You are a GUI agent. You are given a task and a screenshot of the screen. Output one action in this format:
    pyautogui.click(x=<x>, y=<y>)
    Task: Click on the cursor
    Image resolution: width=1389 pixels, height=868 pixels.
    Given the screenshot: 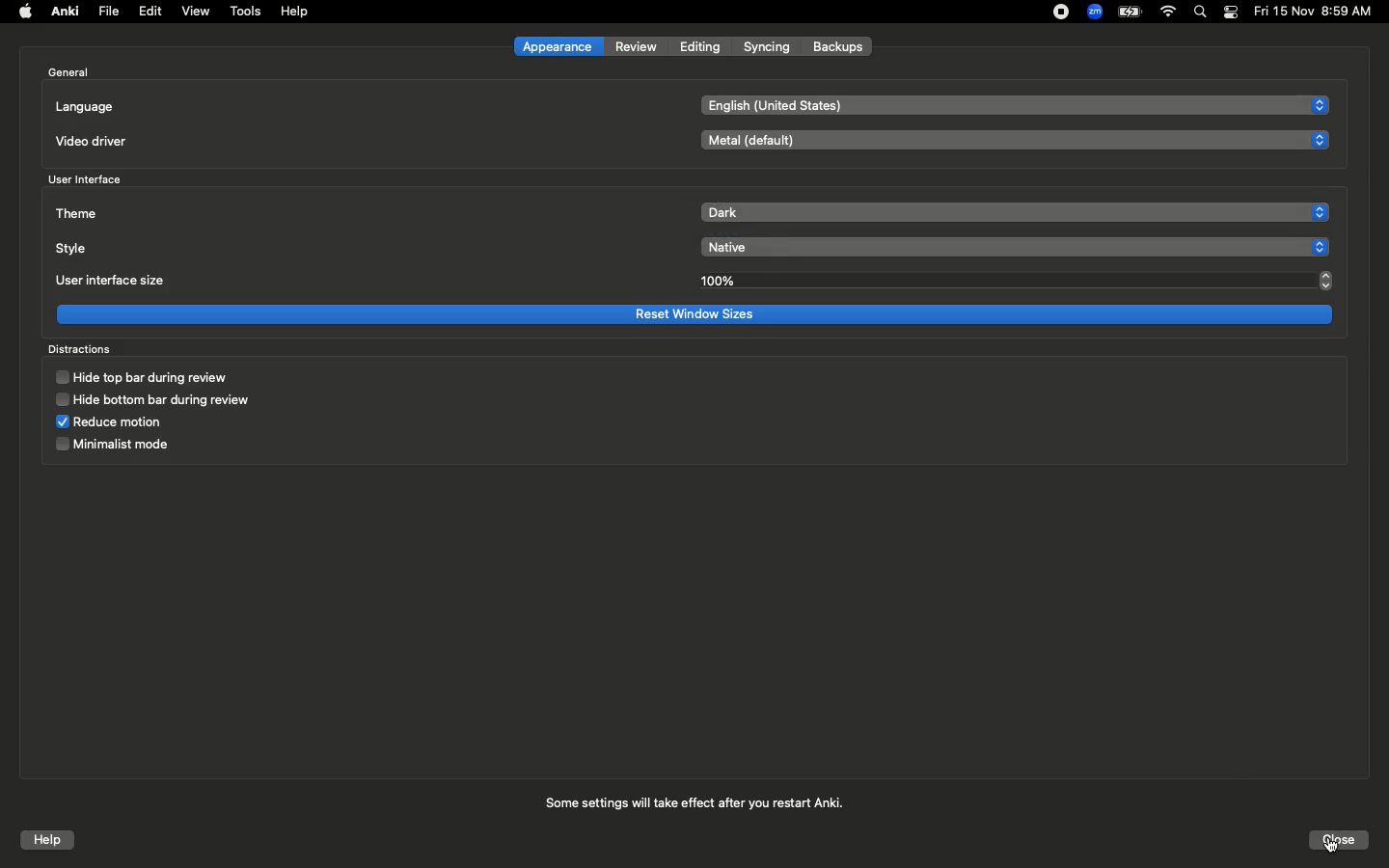 What is the action you would take?
    pyautogui.click(x=1334, y=854)
    